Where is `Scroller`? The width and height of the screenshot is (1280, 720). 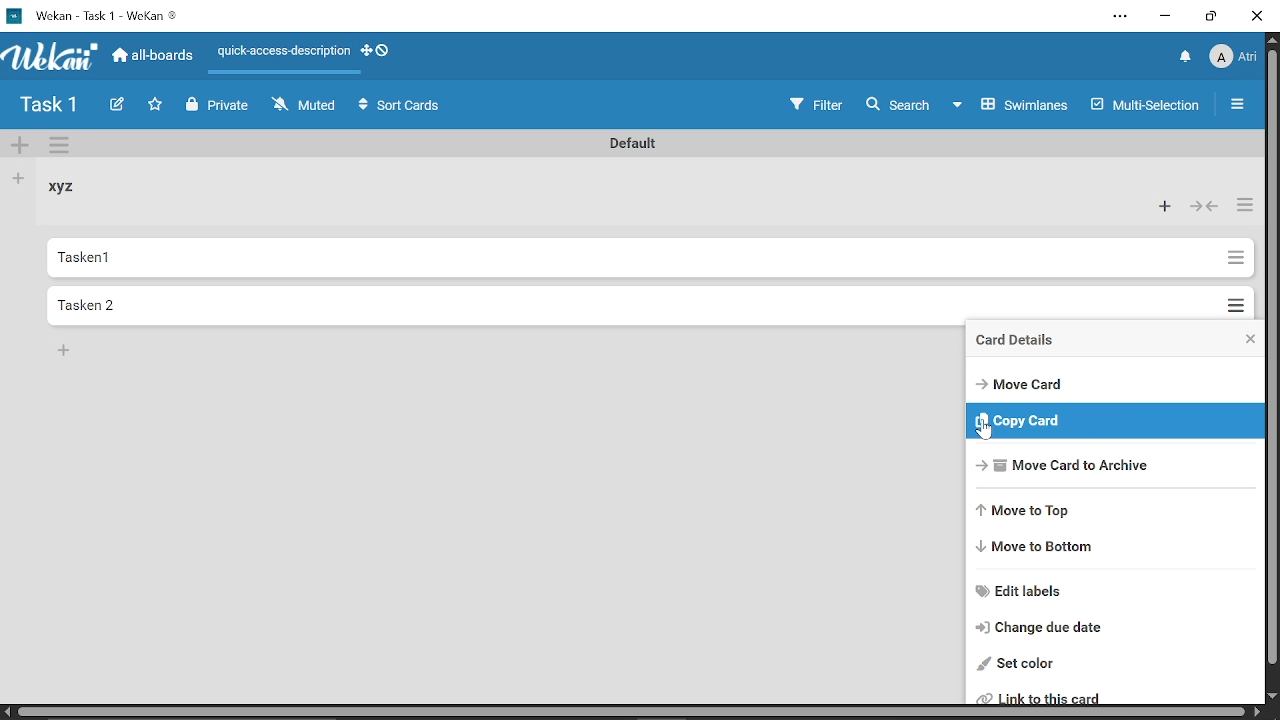
Scroller is located at coordinates (630, 711).